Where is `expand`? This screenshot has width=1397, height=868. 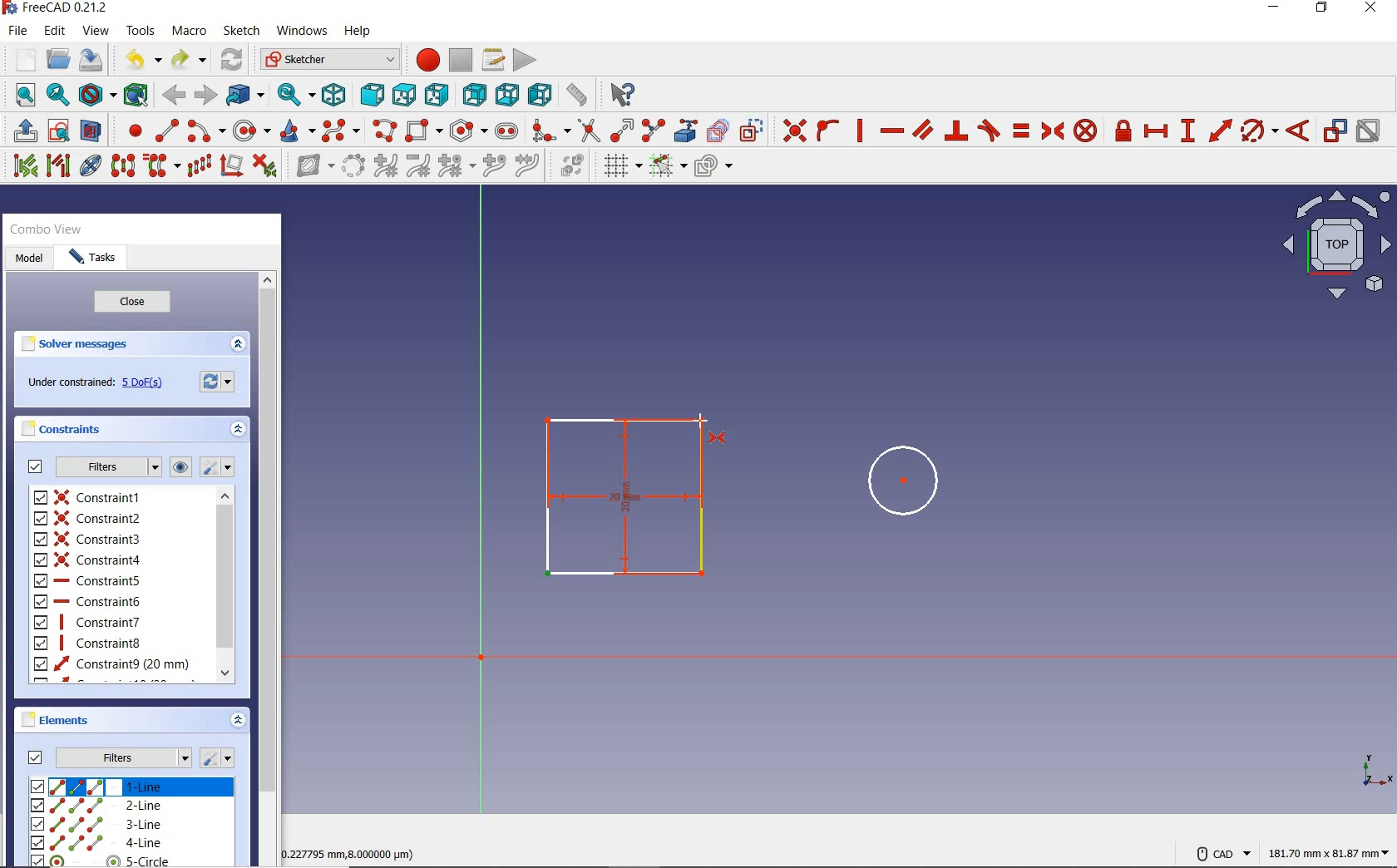 expand is located at coordinates (239, 431).